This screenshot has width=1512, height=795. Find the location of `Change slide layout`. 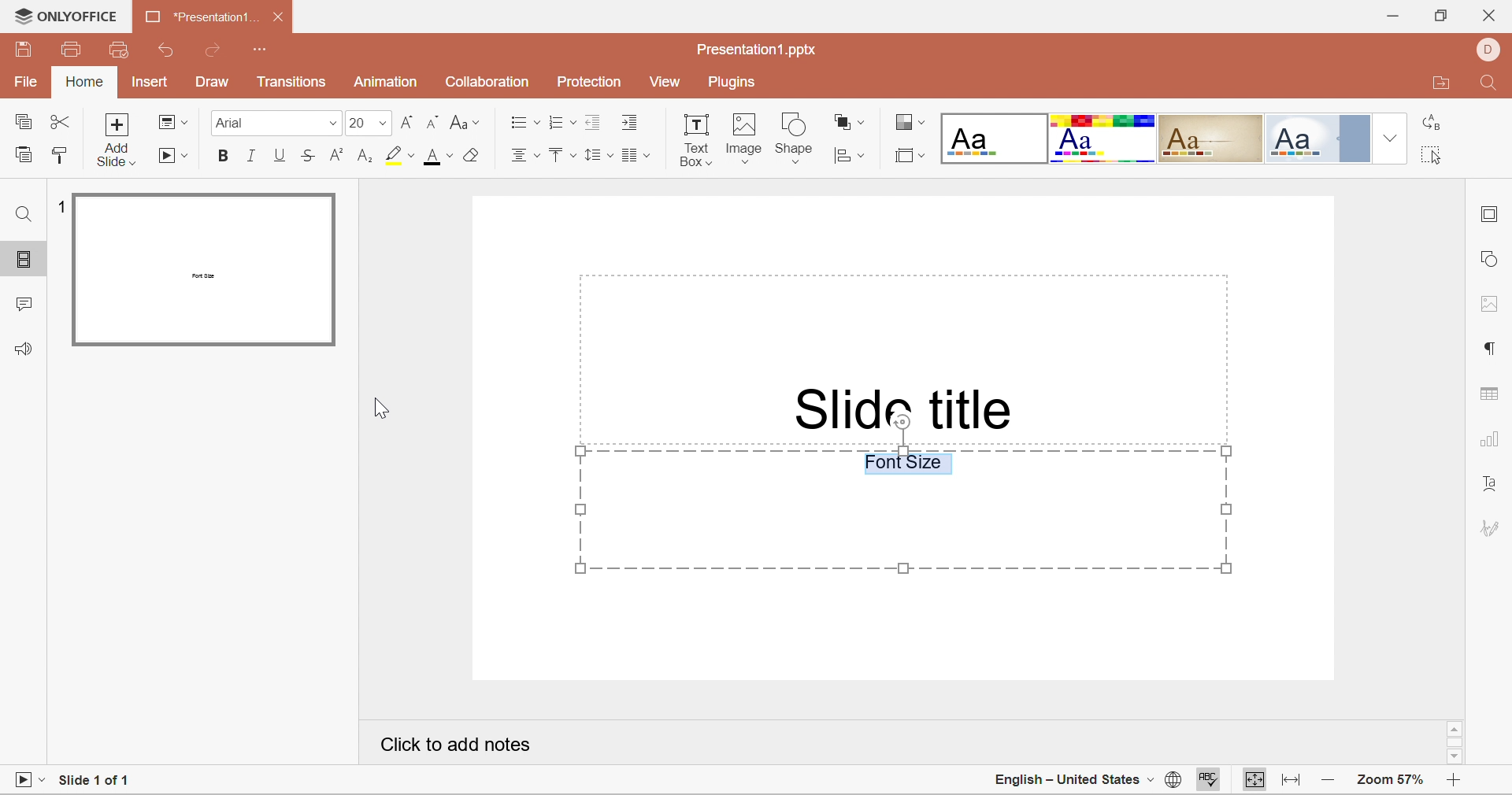

Change slide layout is located at coordinates (173, 121).